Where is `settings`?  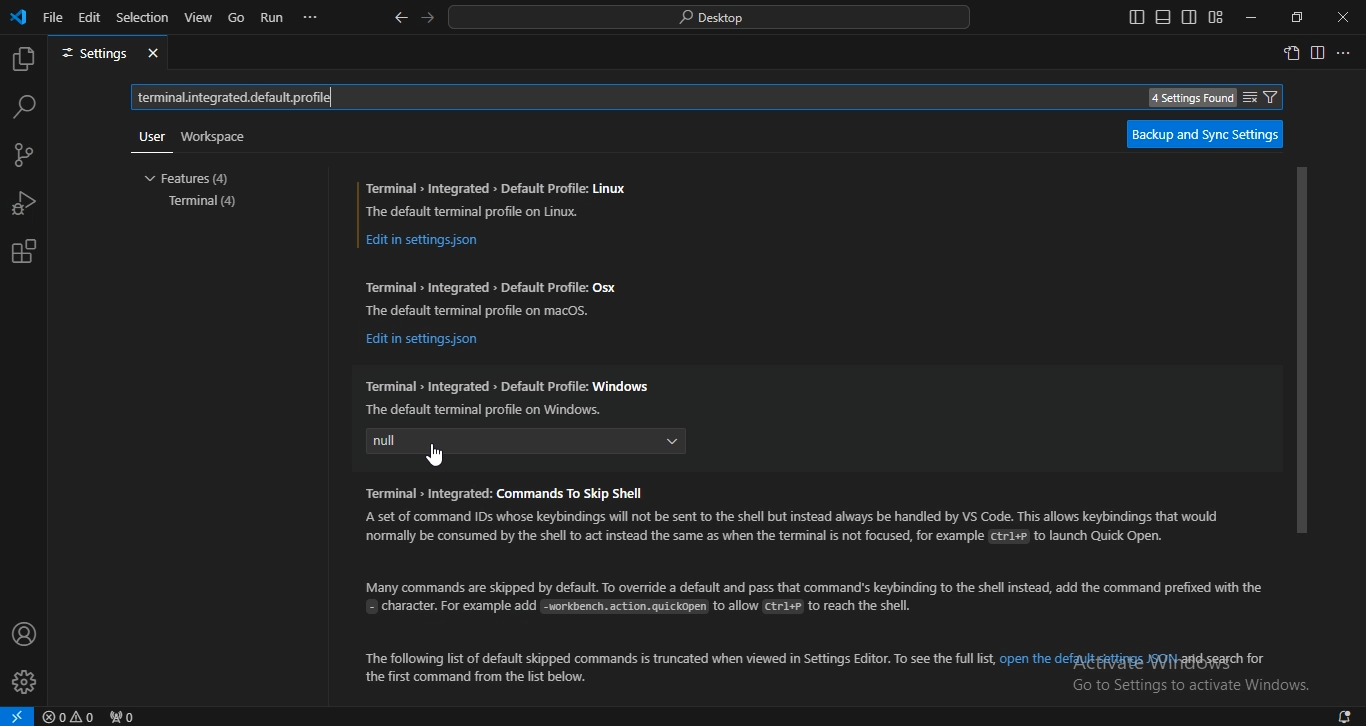
settings is located at coordinates (108, 53).